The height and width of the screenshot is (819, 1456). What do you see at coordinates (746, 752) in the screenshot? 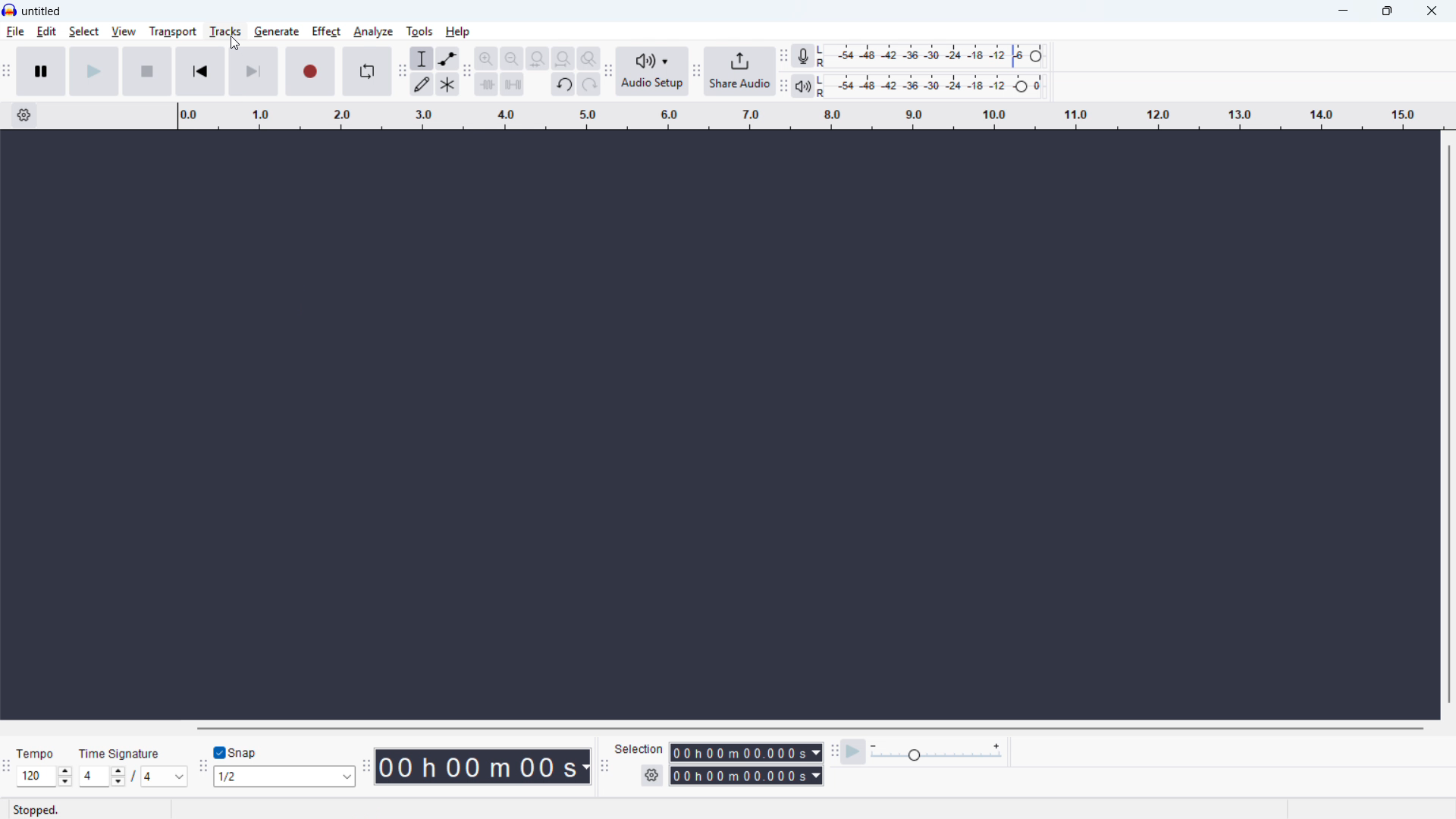
I see `Selection start time ` at bounding box center [746, 752].